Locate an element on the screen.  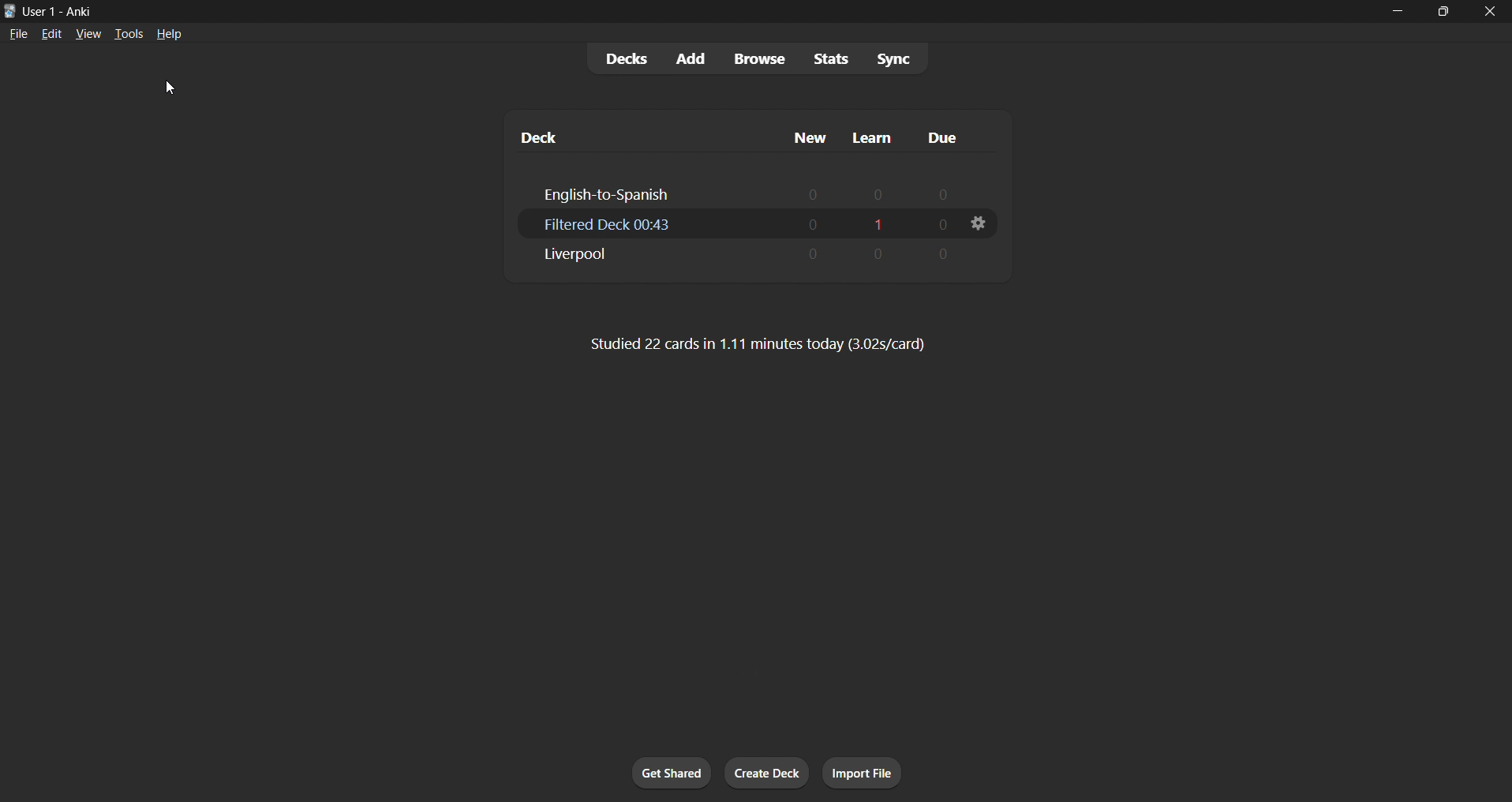
close is located at coordinates (1489, 12).